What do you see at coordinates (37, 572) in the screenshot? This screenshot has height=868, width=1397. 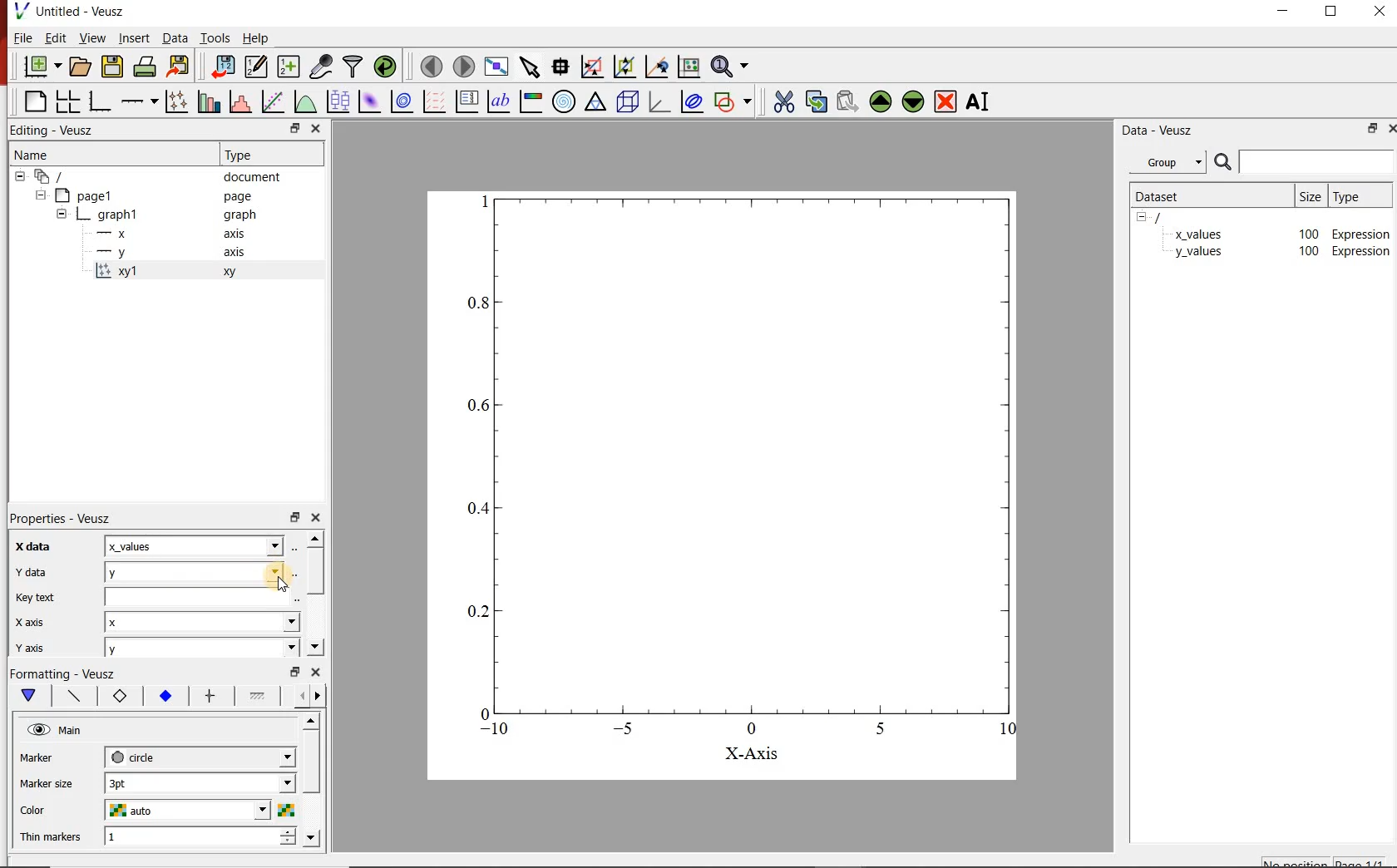 I see `Y data` at bounding box center [37, 572].